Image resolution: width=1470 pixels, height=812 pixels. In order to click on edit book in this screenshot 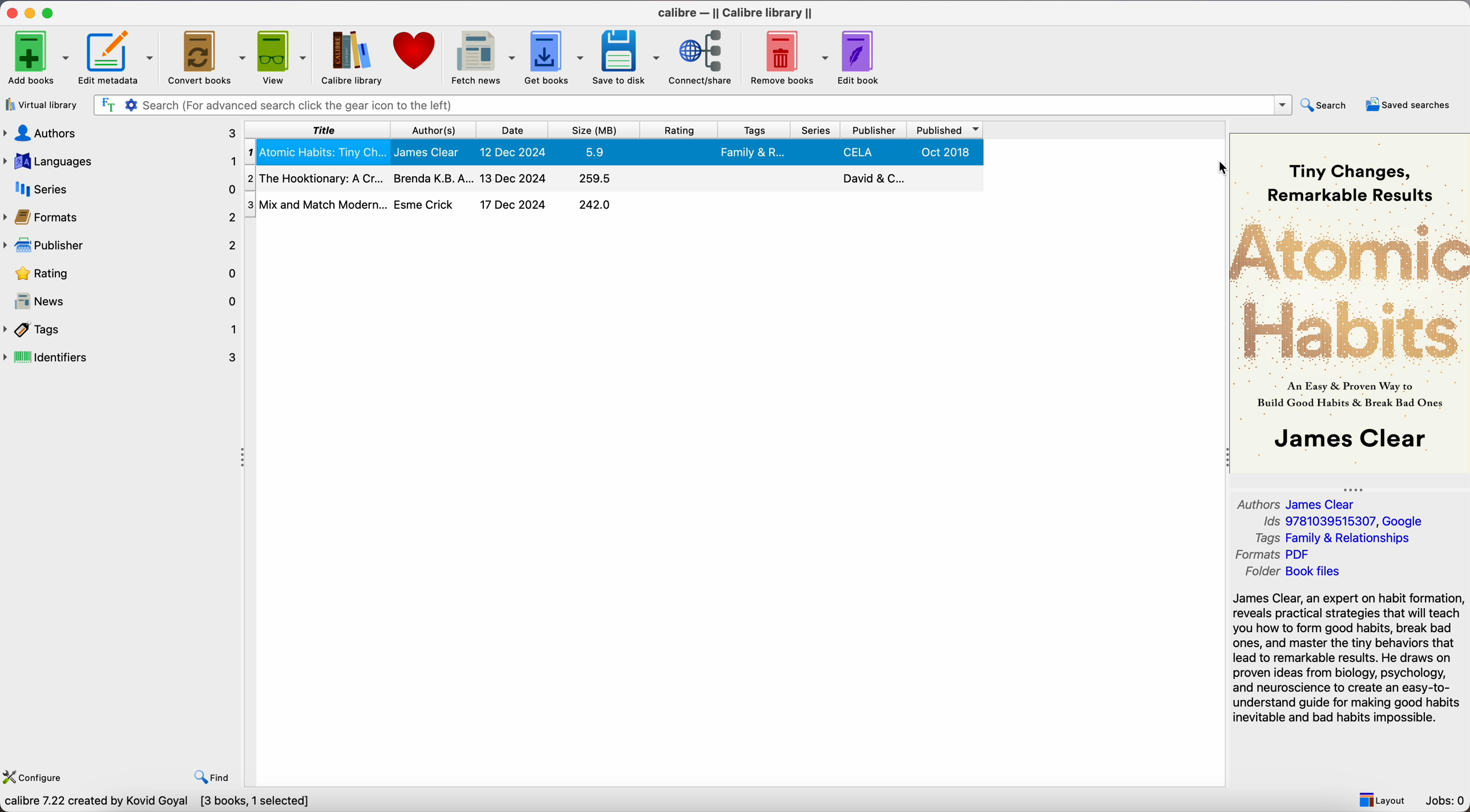, I will do `click(860, 57)`.